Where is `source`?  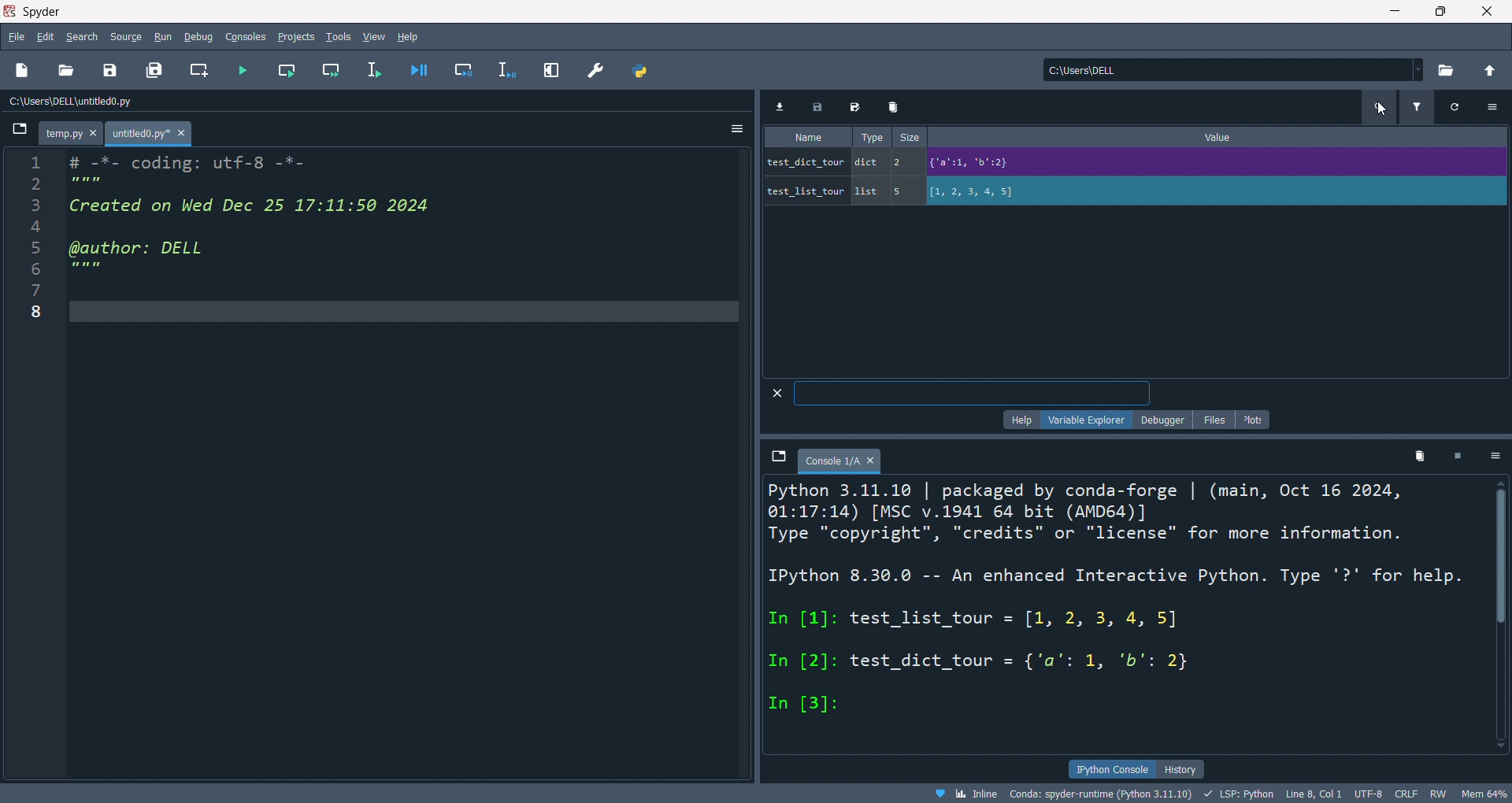
source is located at coordinates (125, 35).